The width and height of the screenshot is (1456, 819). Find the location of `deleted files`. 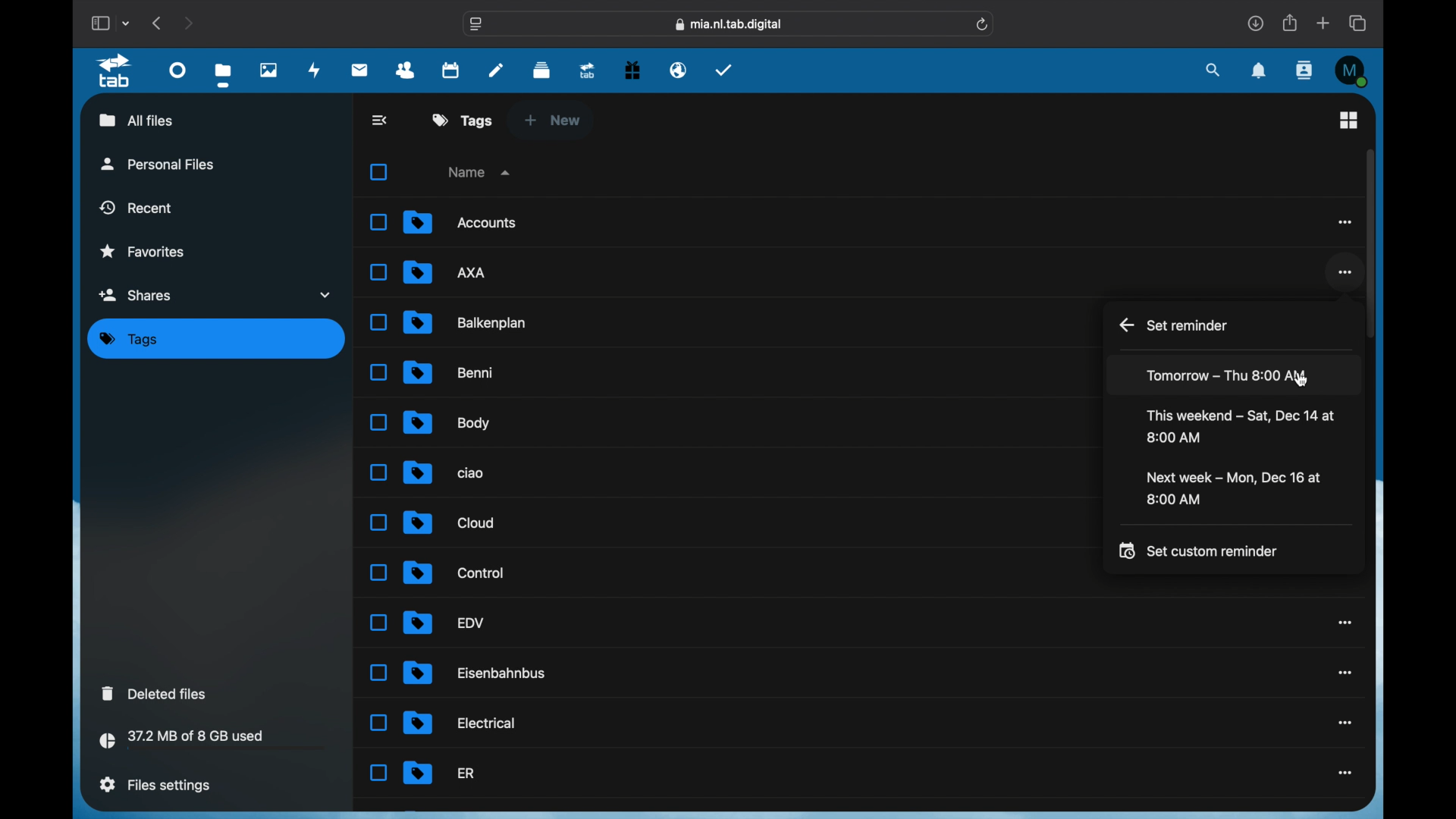

deleted files is located at coordinates (154, 693).